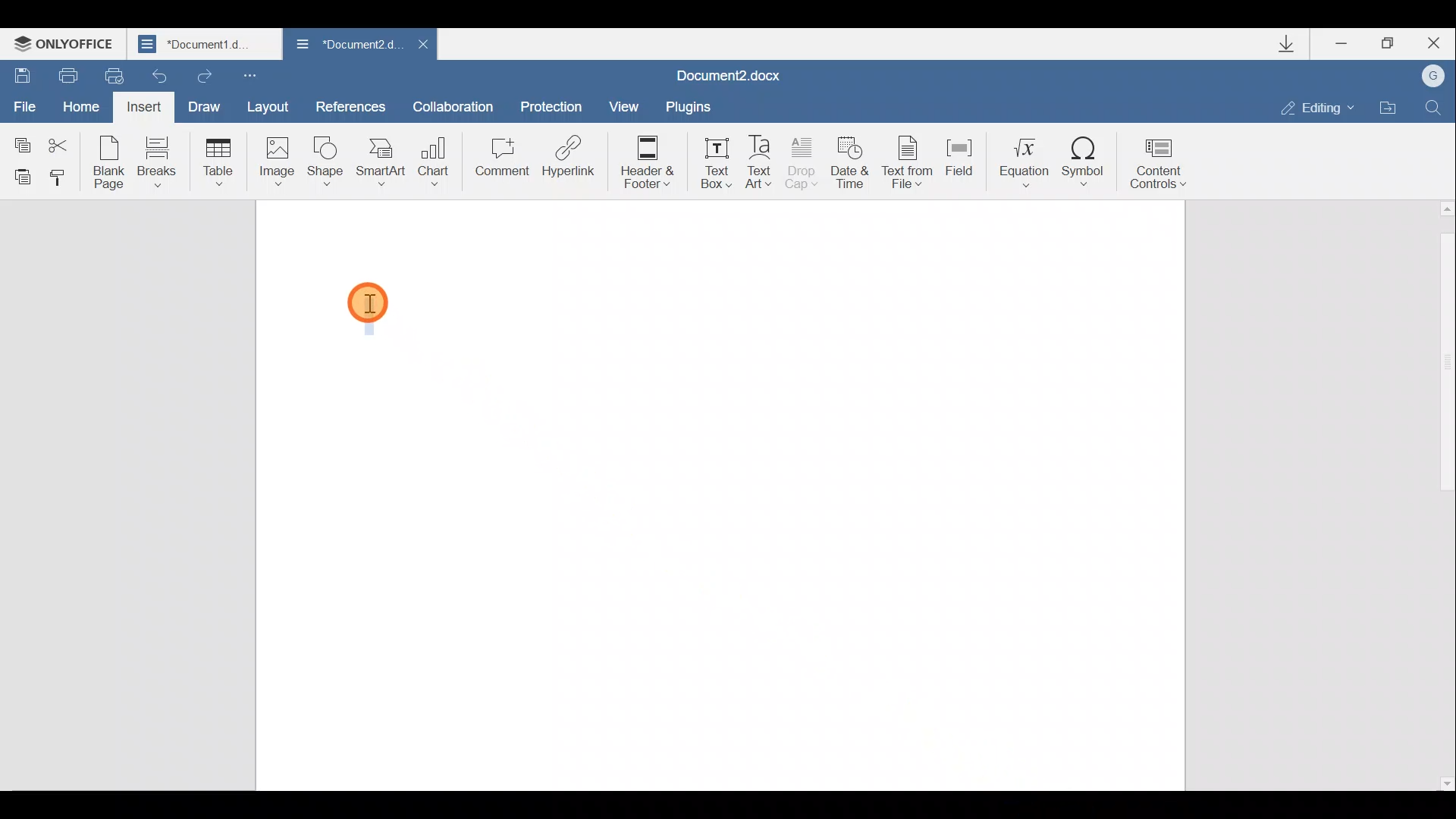 The width and height of the screenshot is (1456, 819). What do you see at coordinates (158, 161) in the screenshot?
I see `Breaks` at bounding box center [158, 161].